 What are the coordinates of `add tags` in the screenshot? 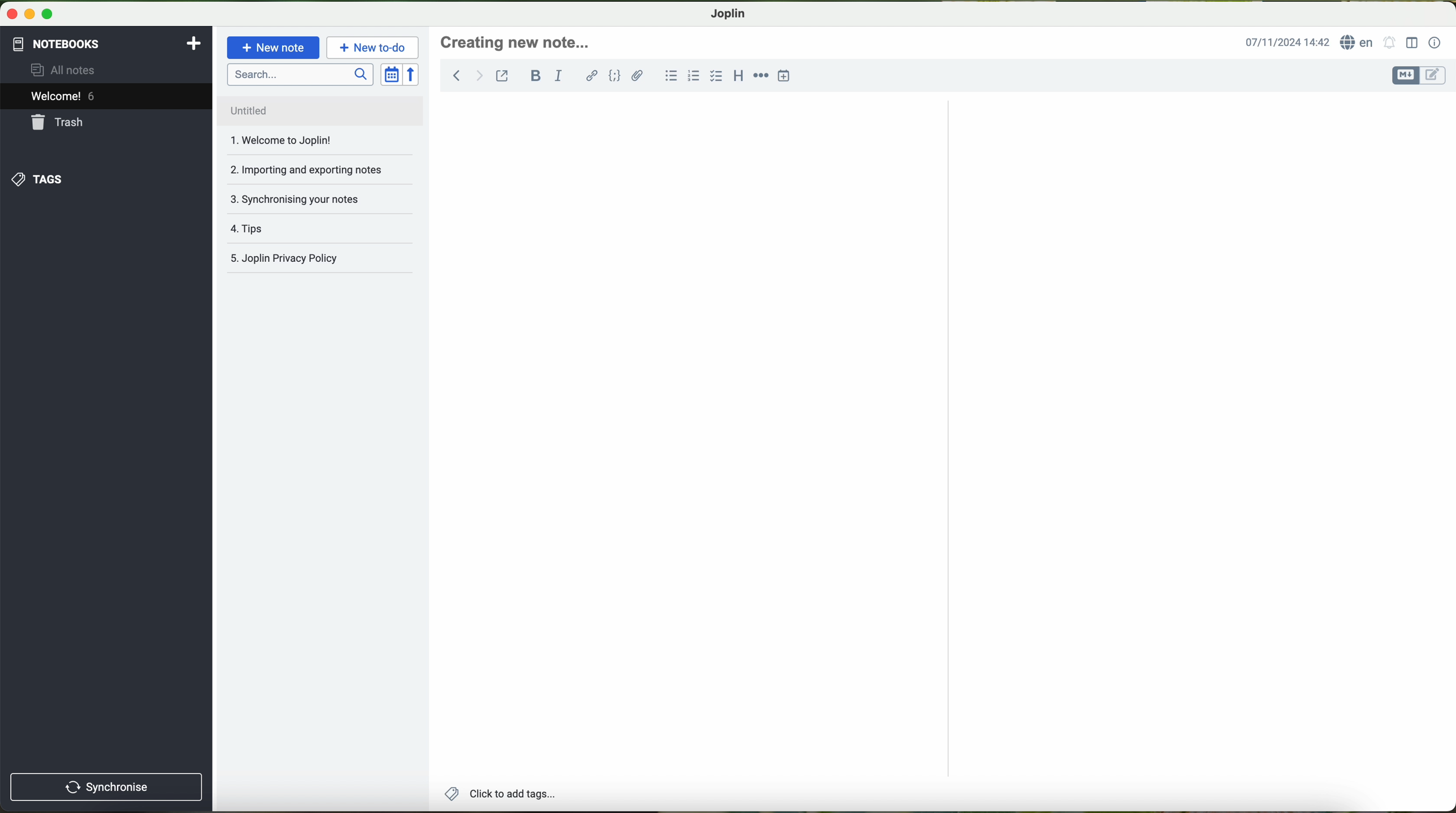 It's located at (500, 795).